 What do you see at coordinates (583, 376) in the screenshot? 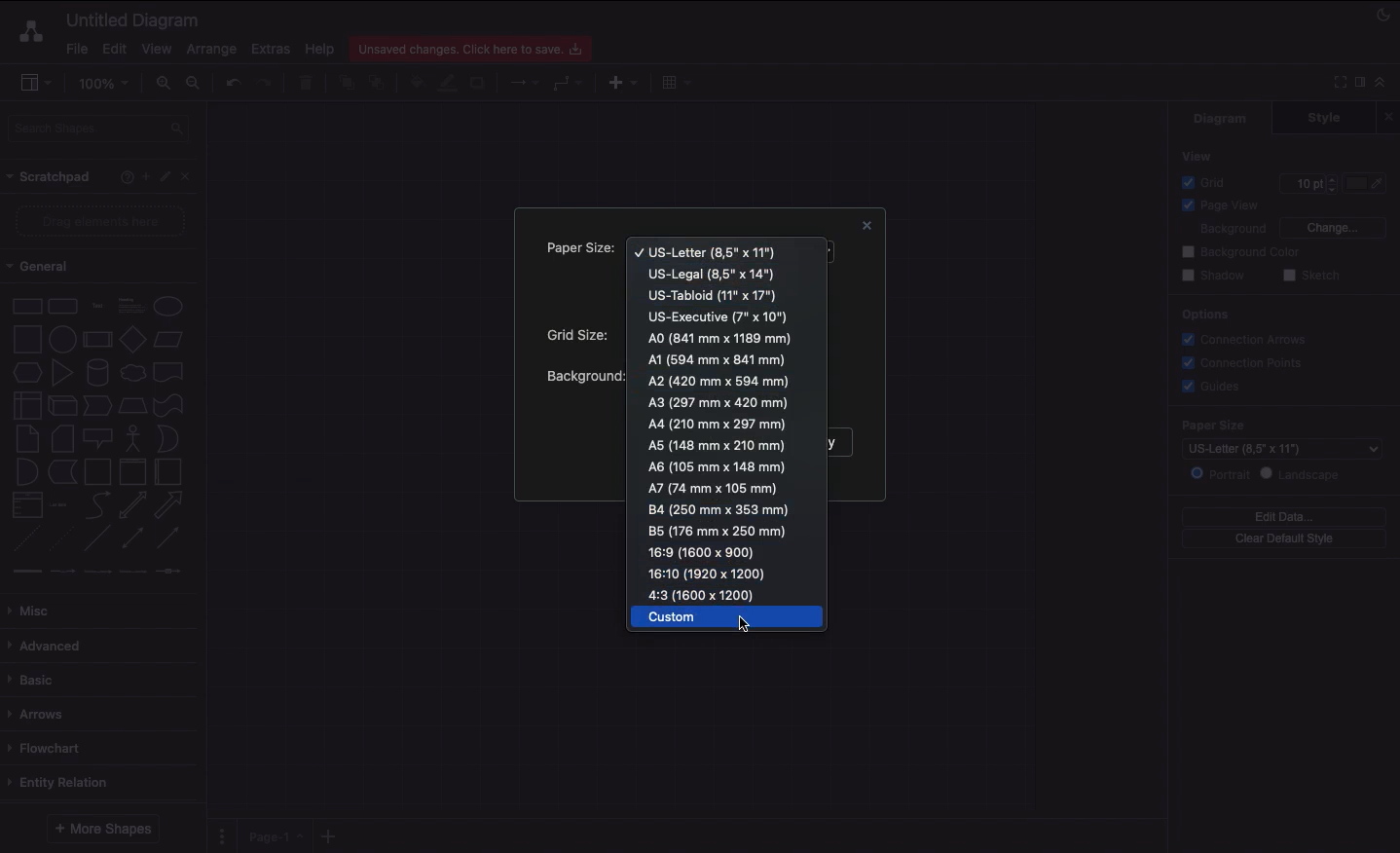
I see `Background` at bounding box center [583, 376].